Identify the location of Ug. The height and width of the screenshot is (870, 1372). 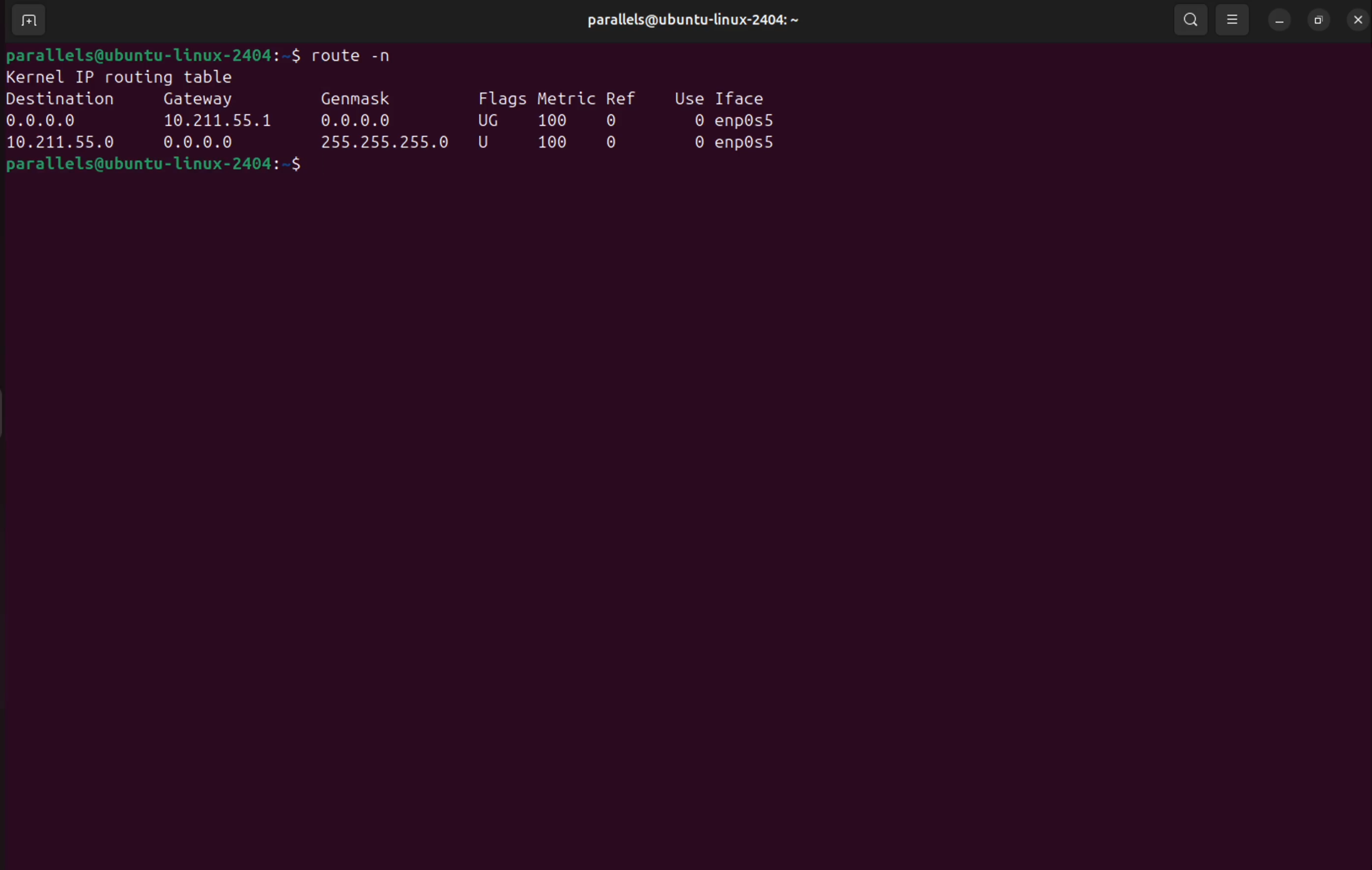
(491, 122).